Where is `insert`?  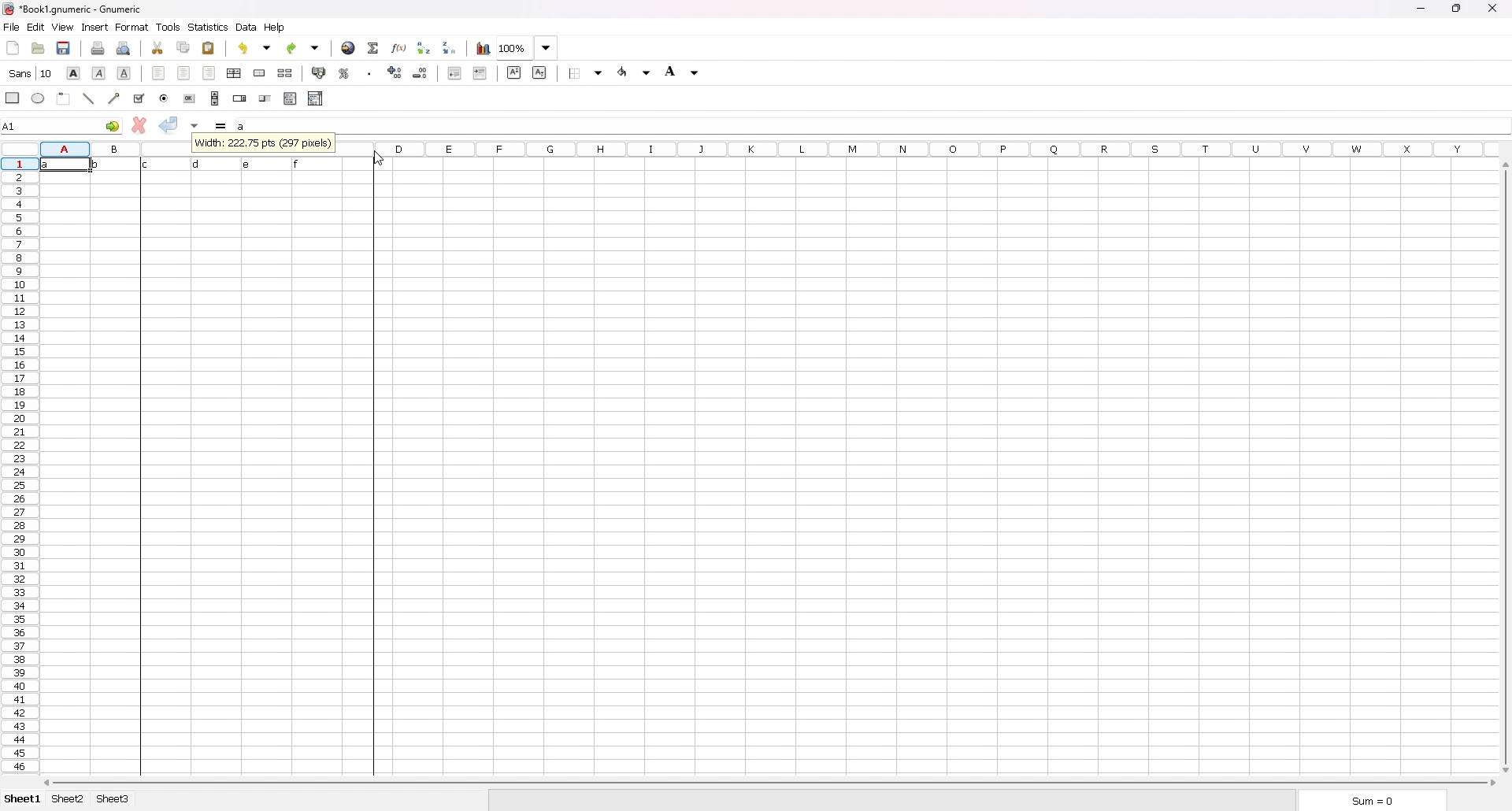 insert is located at coordinates (94, 27).